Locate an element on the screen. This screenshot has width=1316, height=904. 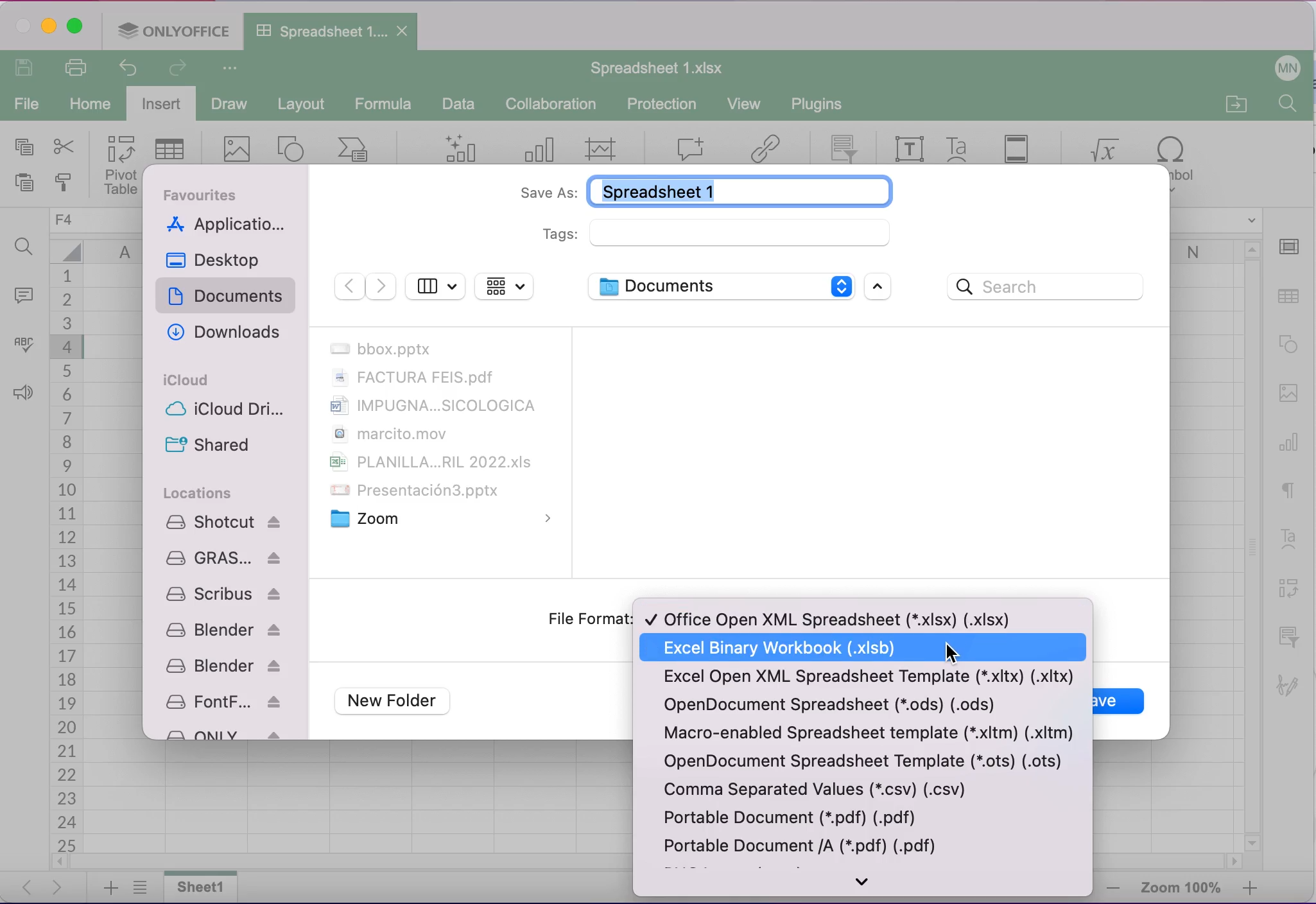
favourites is located at coordinates (207, 195).